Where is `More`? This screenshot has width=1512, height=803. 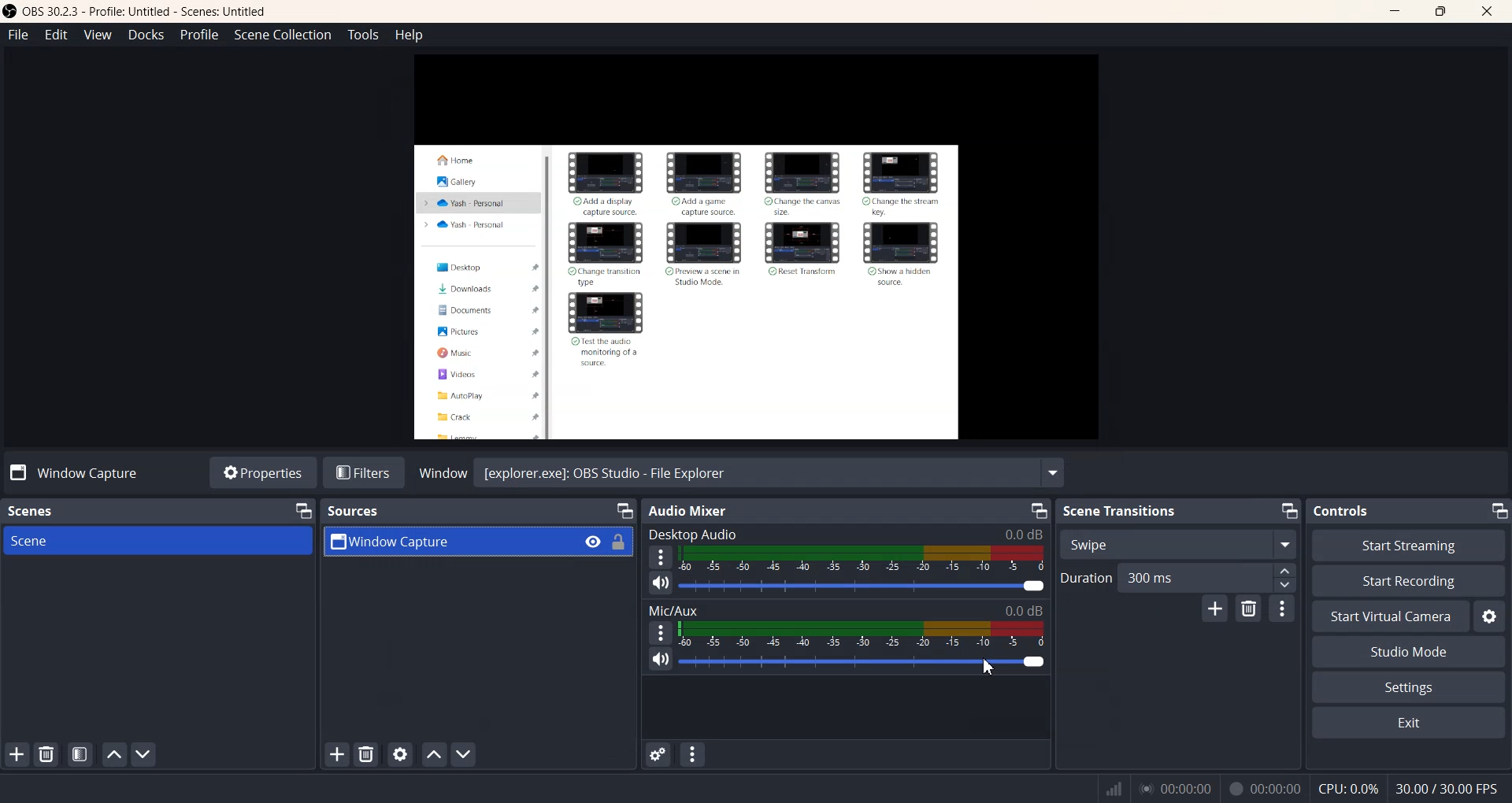 More is located at coordinates (1283, 607).